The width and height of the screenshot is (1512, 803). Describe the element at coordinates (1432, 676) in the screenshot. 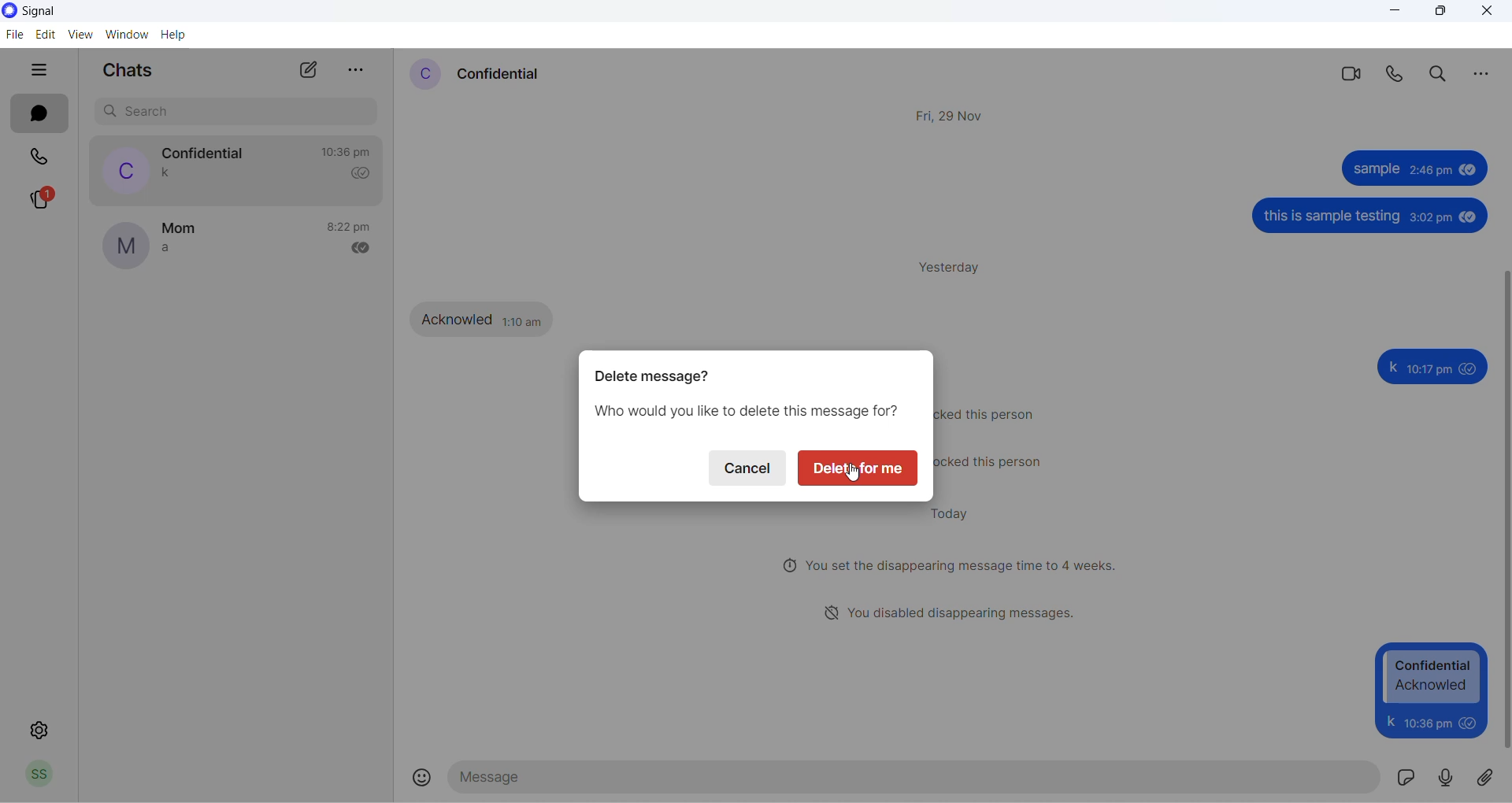

I see `Confidential Acknowled` at that location.